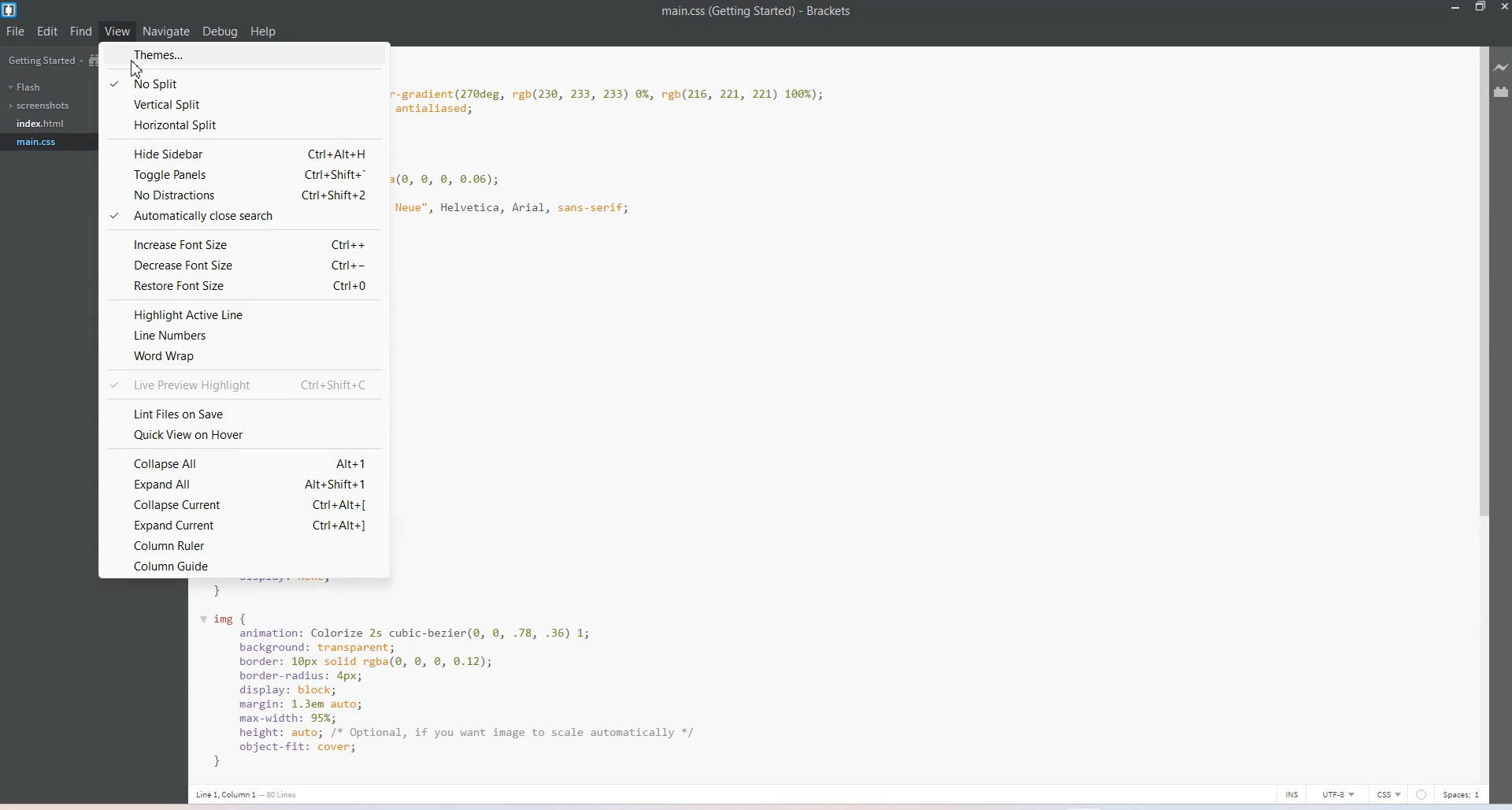  Describe the element at coordinates (1464, 794) in the screenshot. I see `Spaces 1` at that location.